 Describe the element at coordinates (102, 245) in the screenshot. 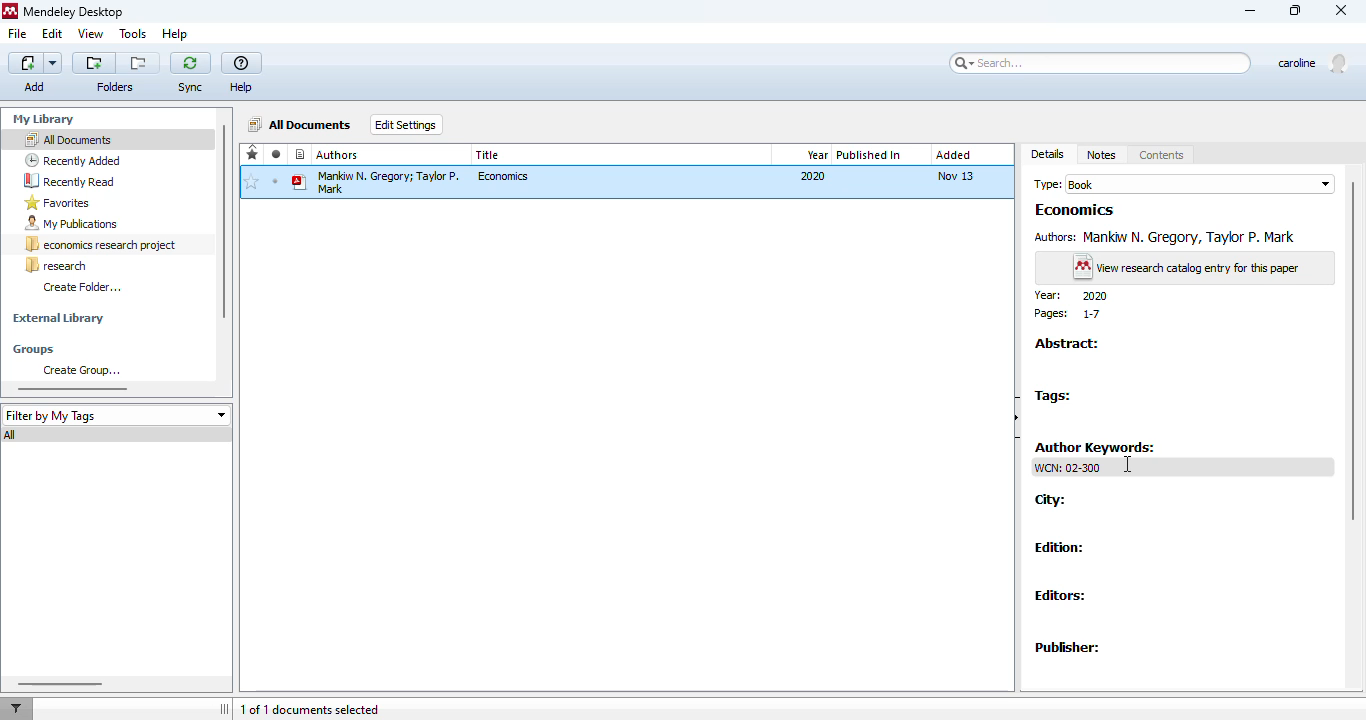

I see `economics research project` at that location.